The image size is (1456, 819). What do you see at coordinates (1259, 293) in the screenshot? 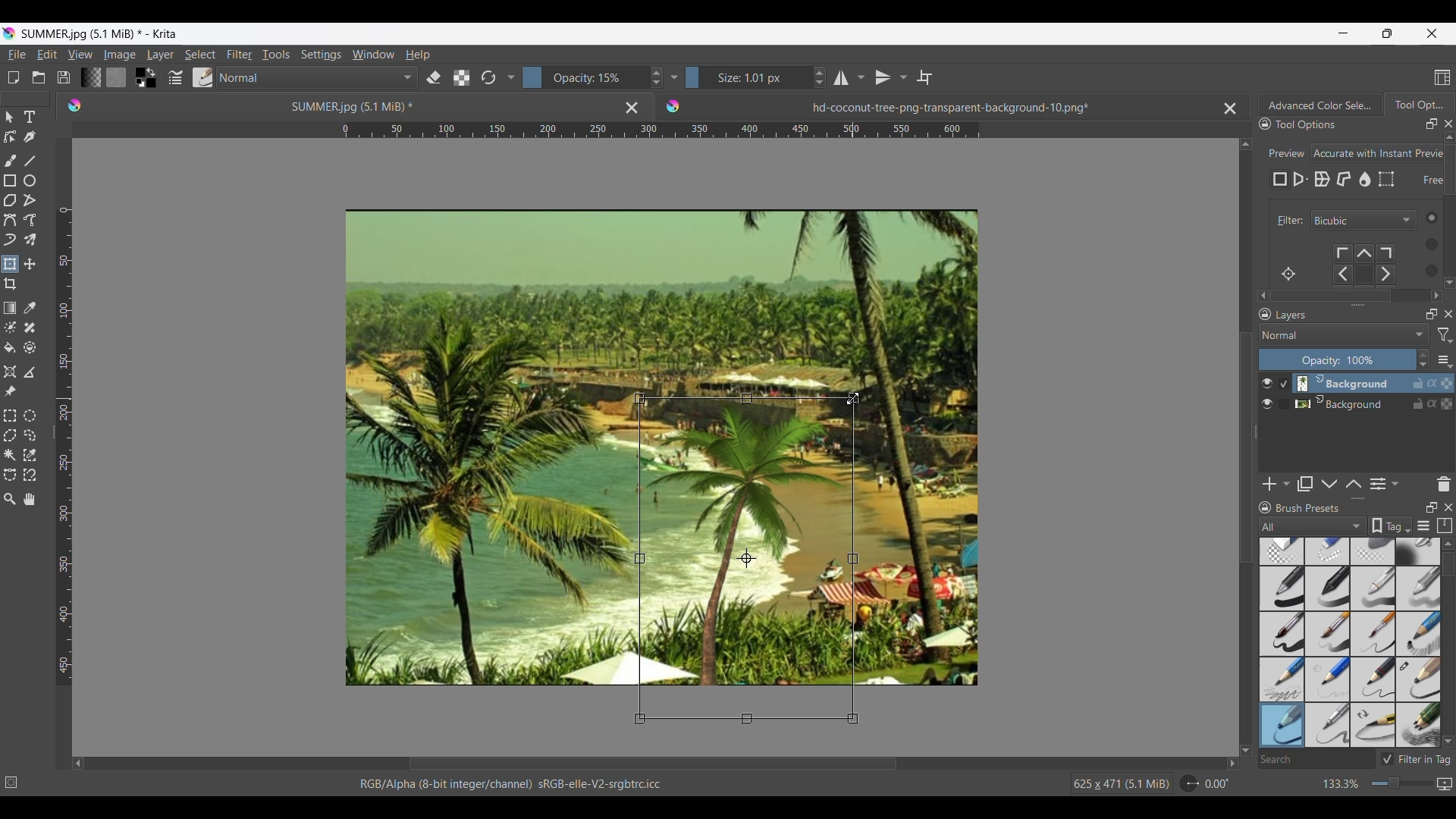
I see `Left` at bounding box center [1259, 293].